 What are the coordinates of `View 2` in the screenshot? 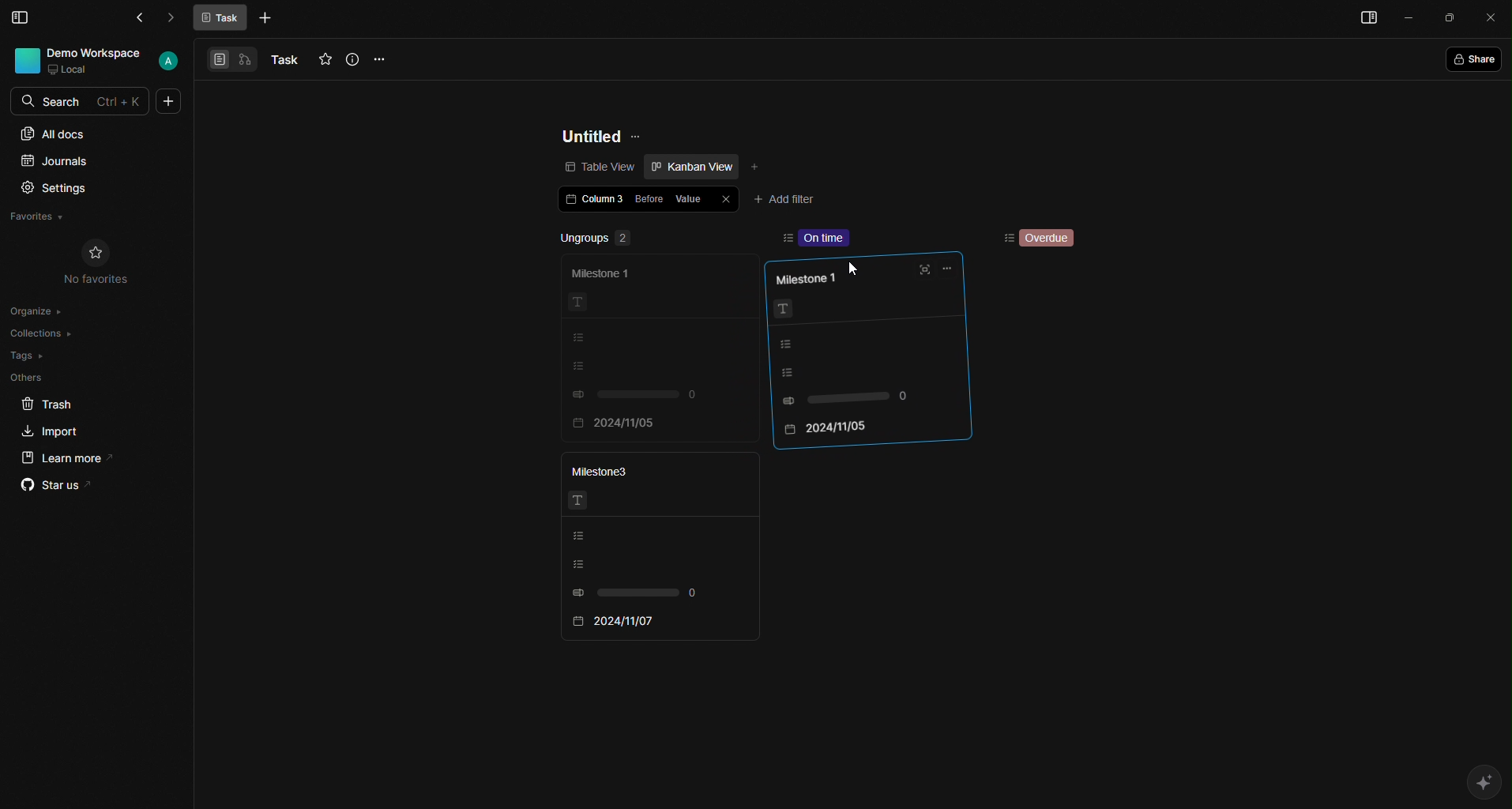 It's located at (244, 62).